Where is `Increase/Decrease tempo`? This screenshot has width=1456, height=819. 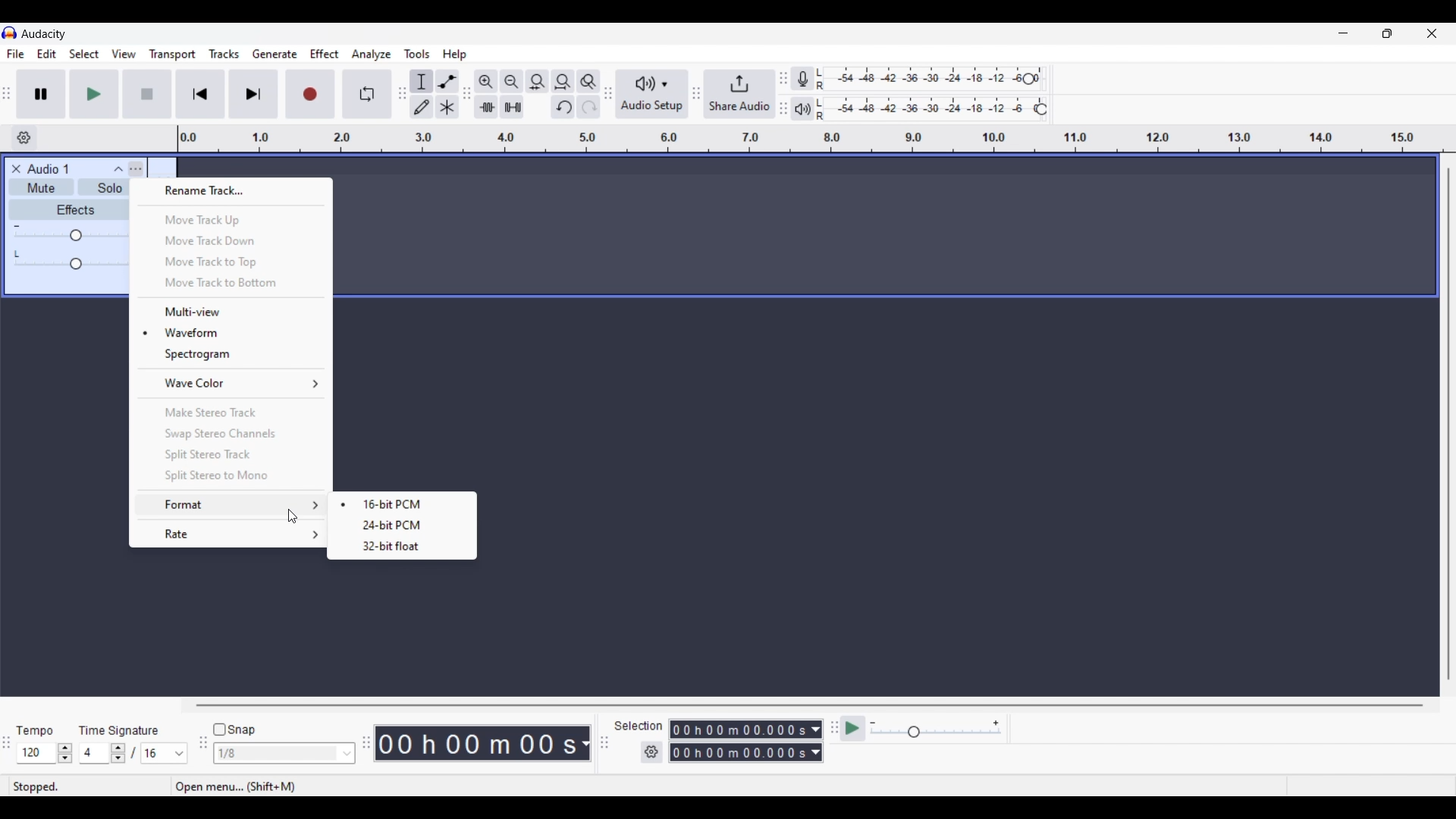 Increase/Decrease tempo is located at coordinates (65, 753).